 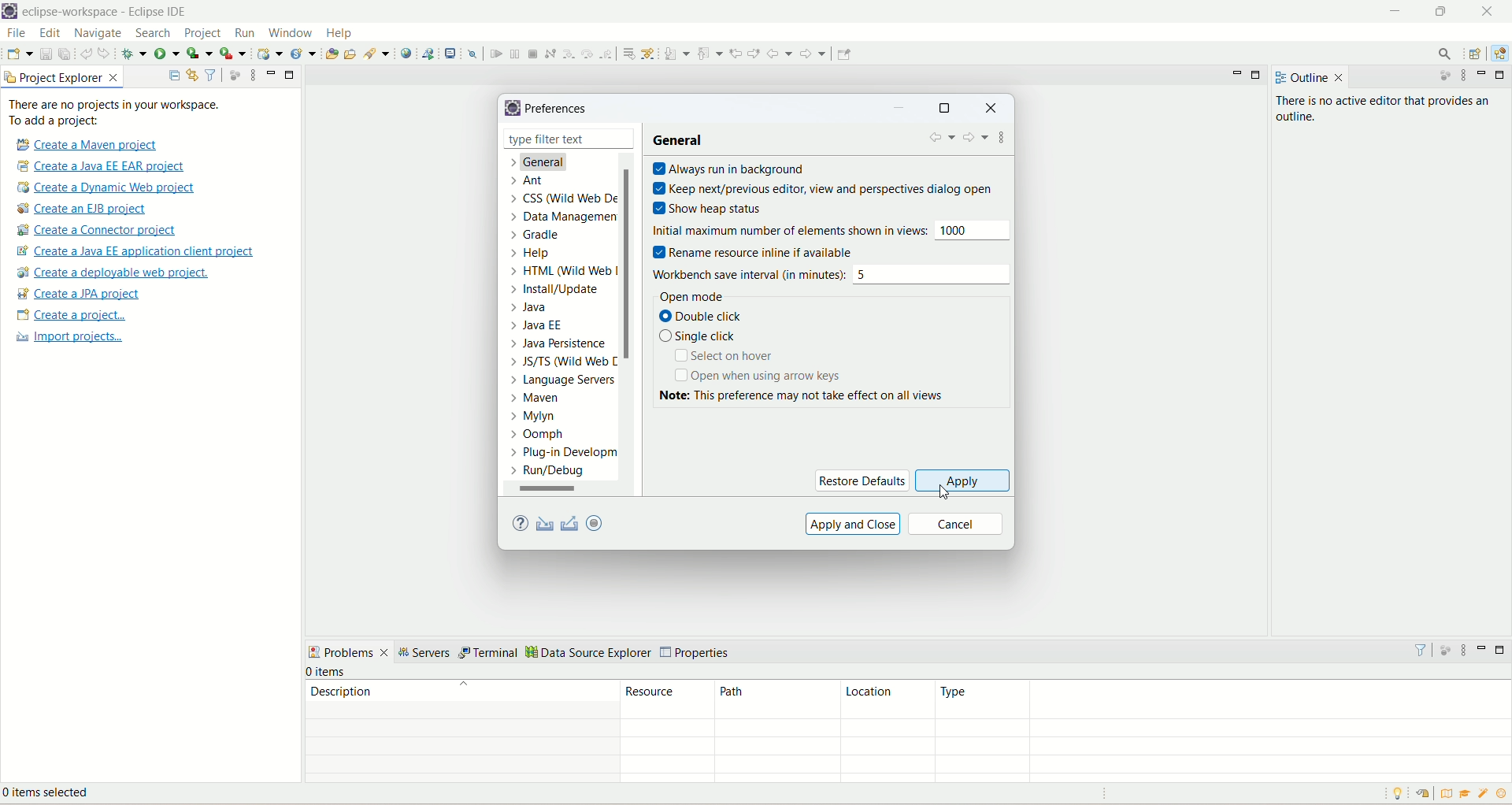 I want to click on create a Java EE application client project, so click(x=135, y=253).